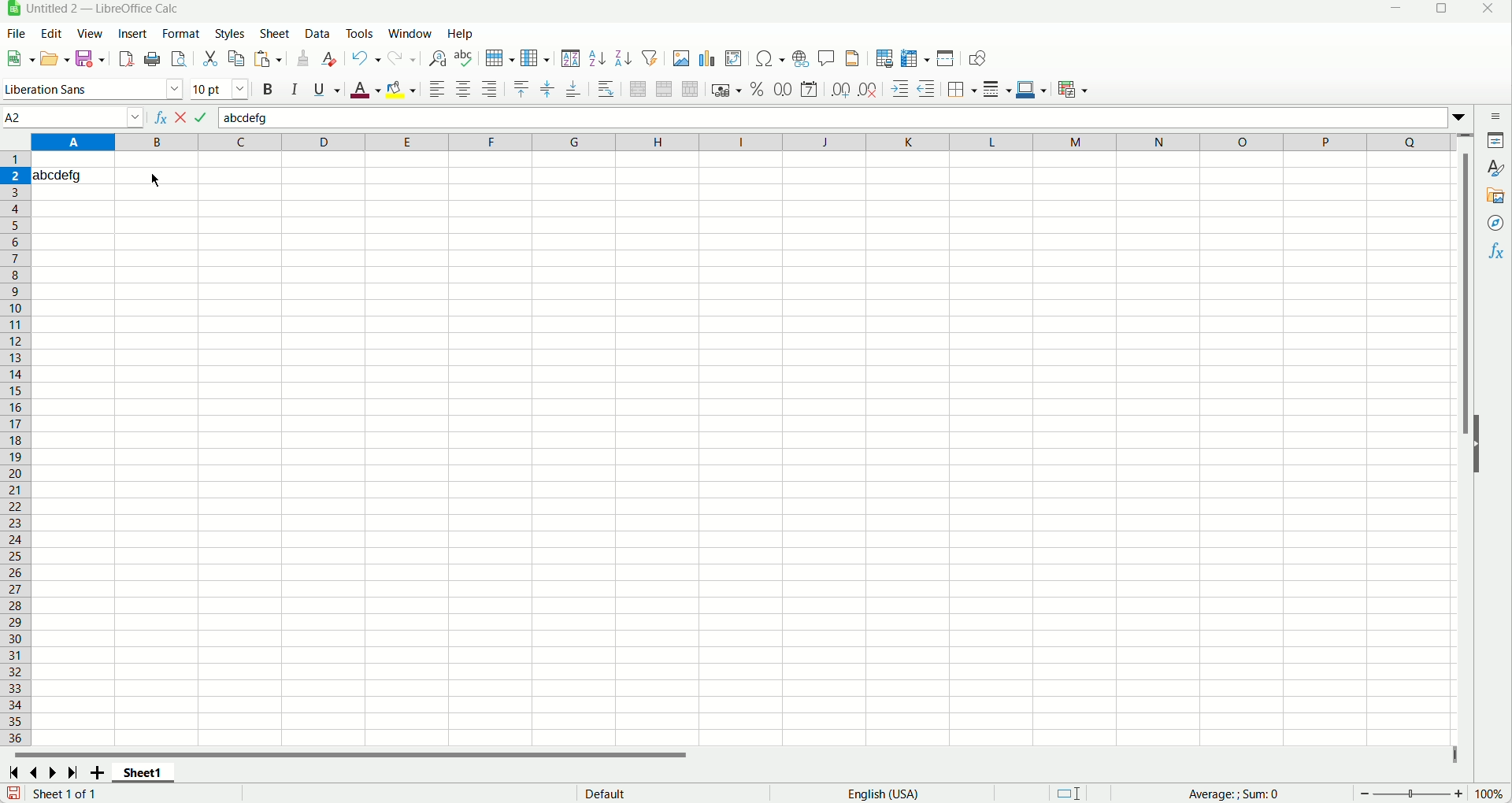 The height and width of the screenshot is (803, 1512). Describe the element at coordinates (1495, 116) in the screenshot. I see `sidebar settings` at that location.